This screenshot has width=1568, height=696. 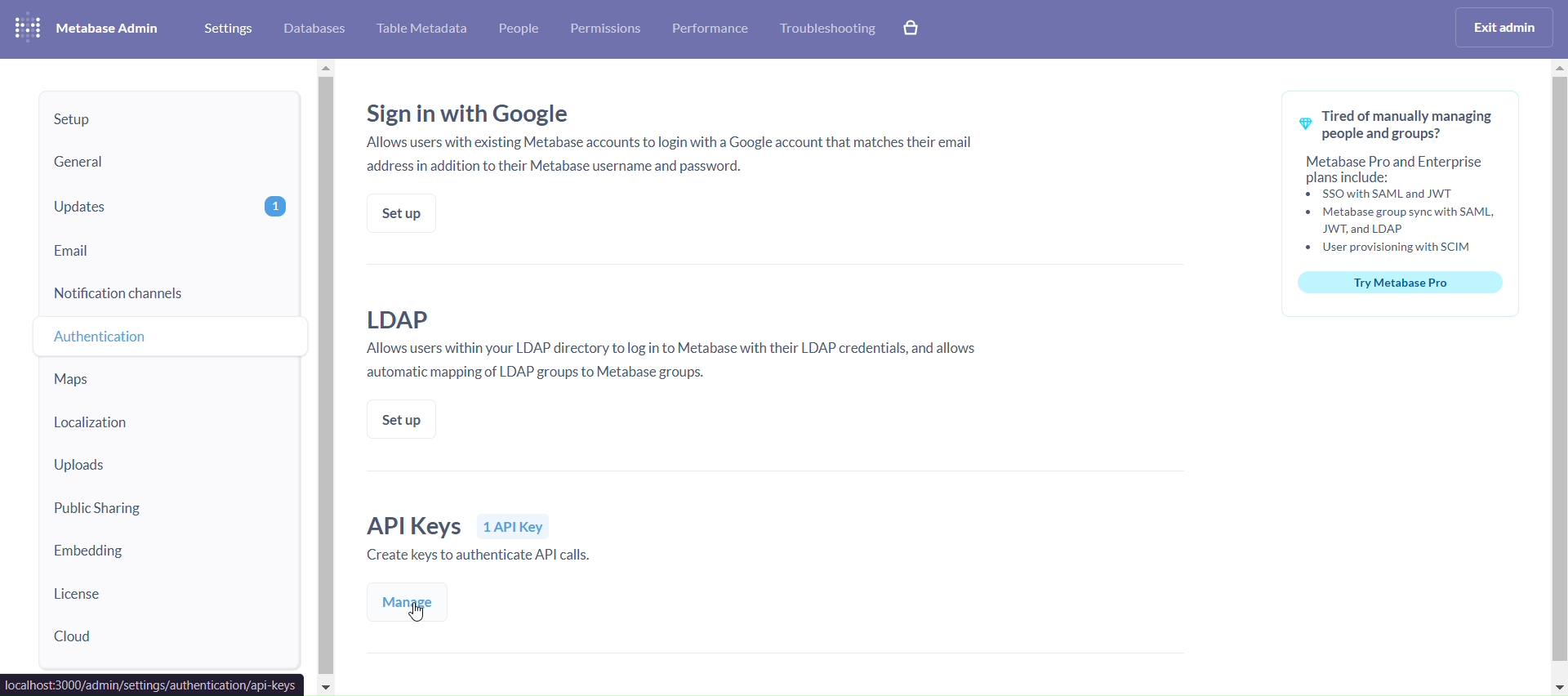 What do you see at coordinates (170, 468) in the screenshot?
I see `uploads` at bounding box center [170, 468].